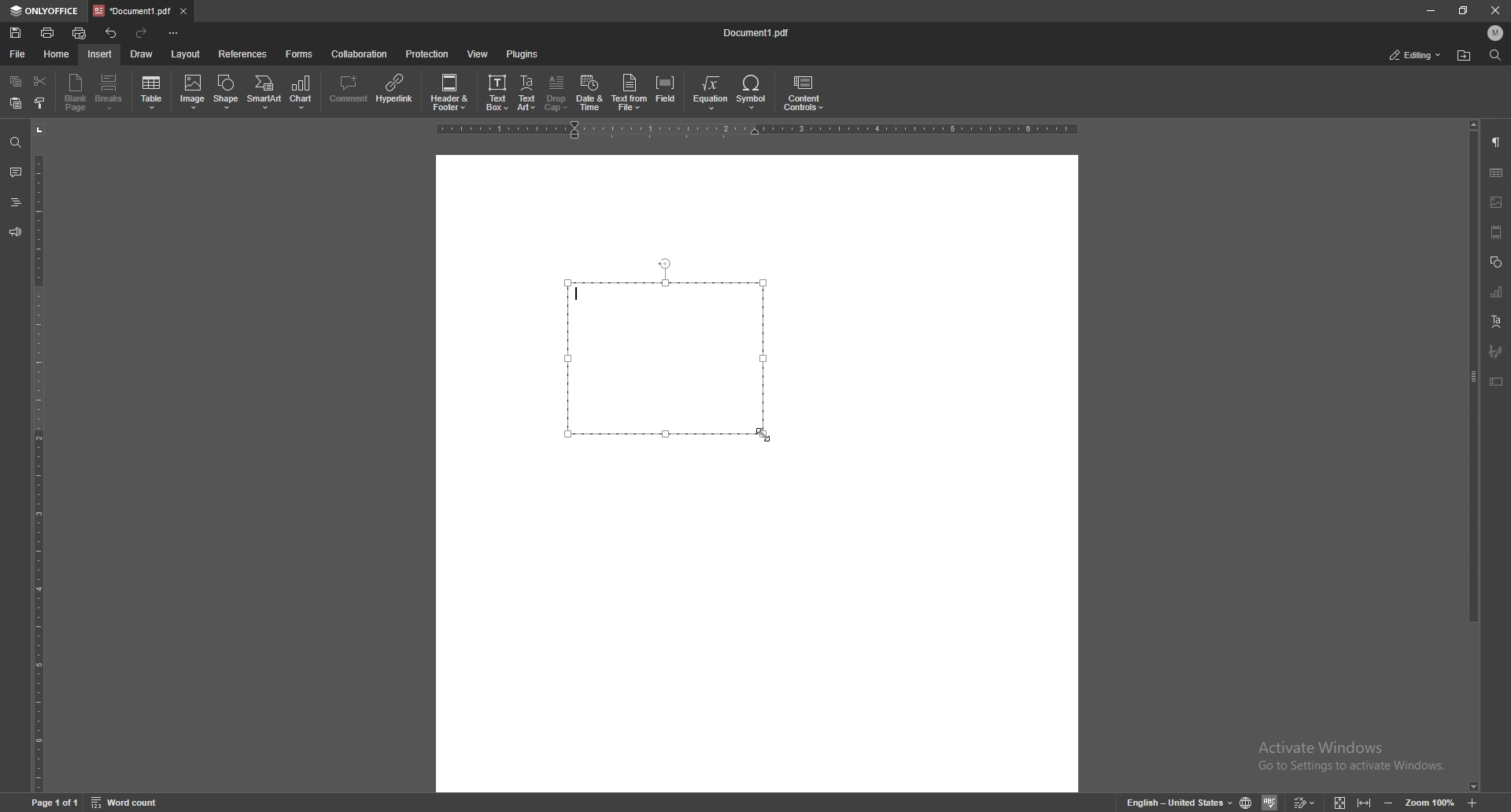 This screenshot has height=812, width=1511. What do you see at coordinates (1495, 292) in the screenshot?
I see `chart` at bounding box center [1495, 292].